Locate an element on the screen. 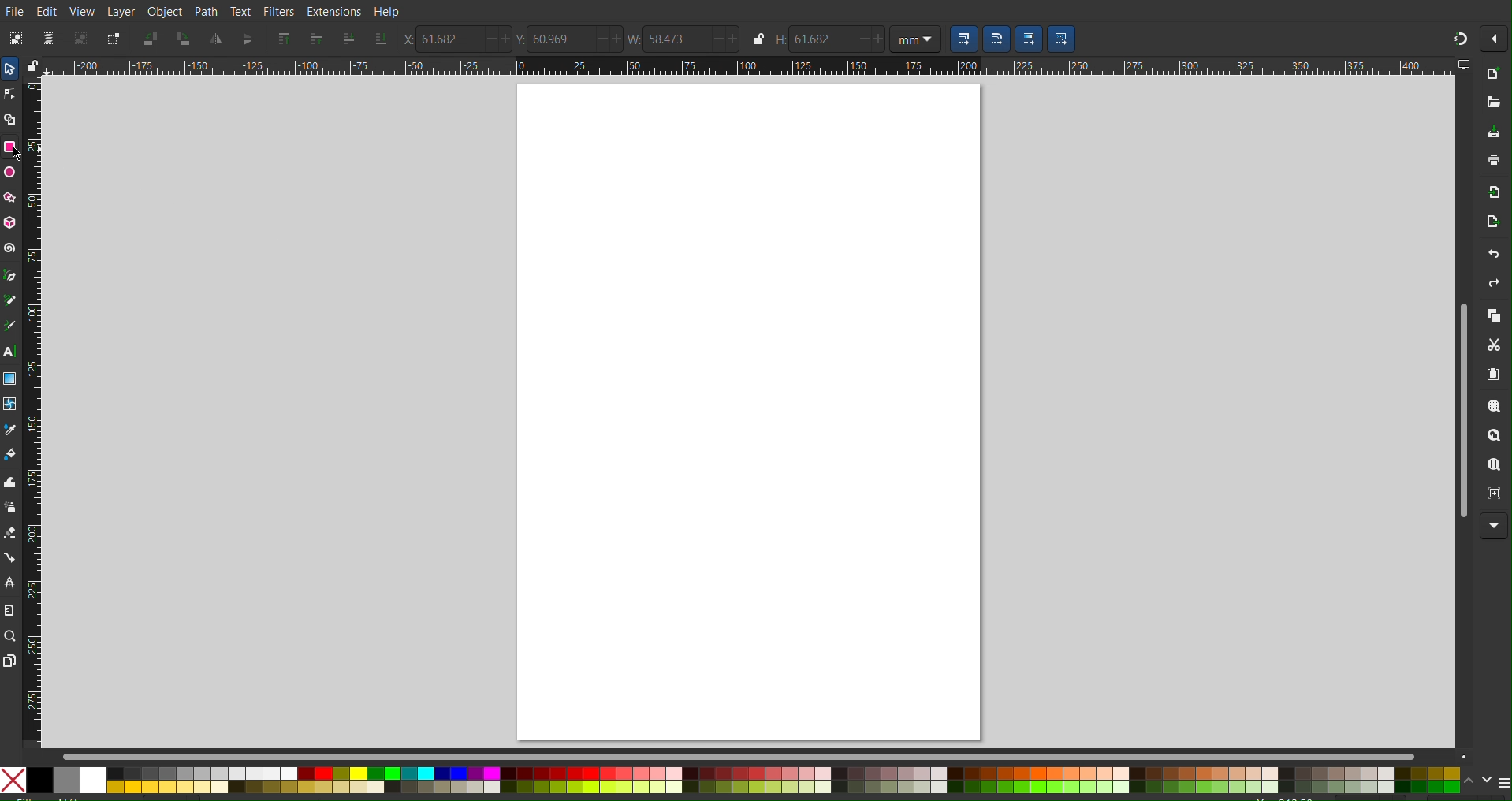 This screenshot has height=801, width=1512. Scaling Option 2 is located at coordinates (996, 39).